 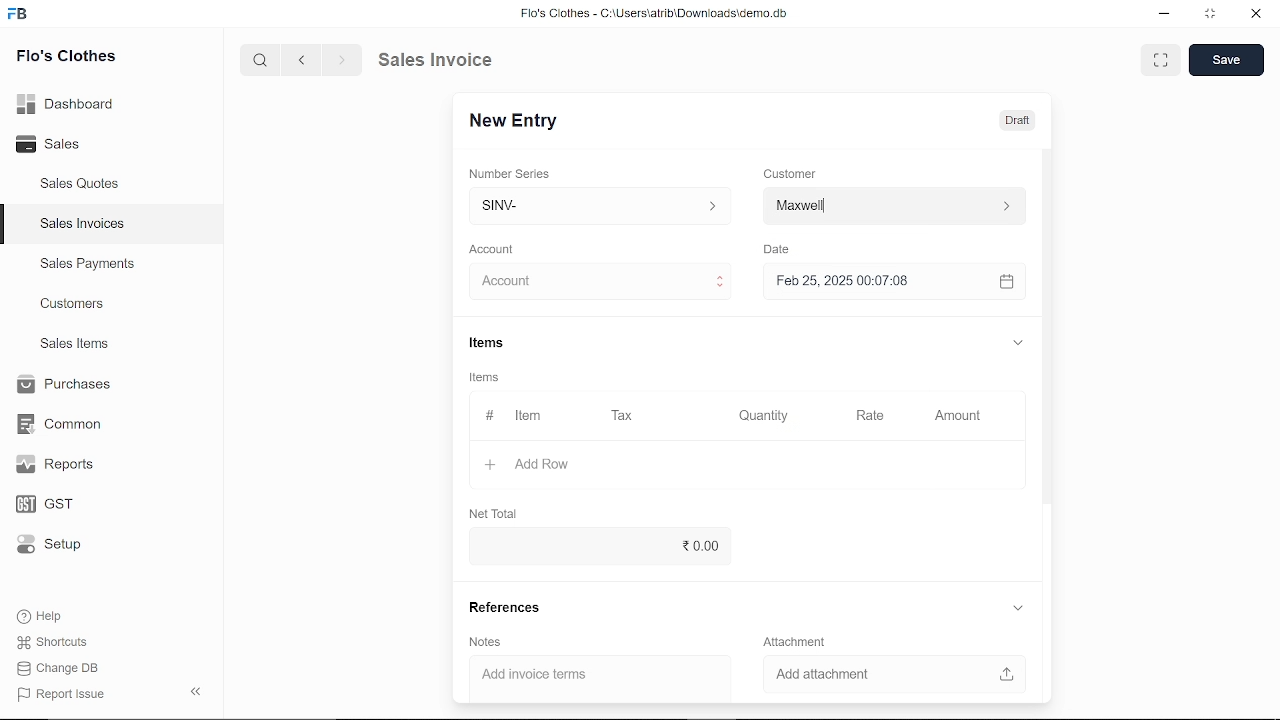 I want to click on H Feb 25, 2025 00:07:08 , so click(x=876, y=282).